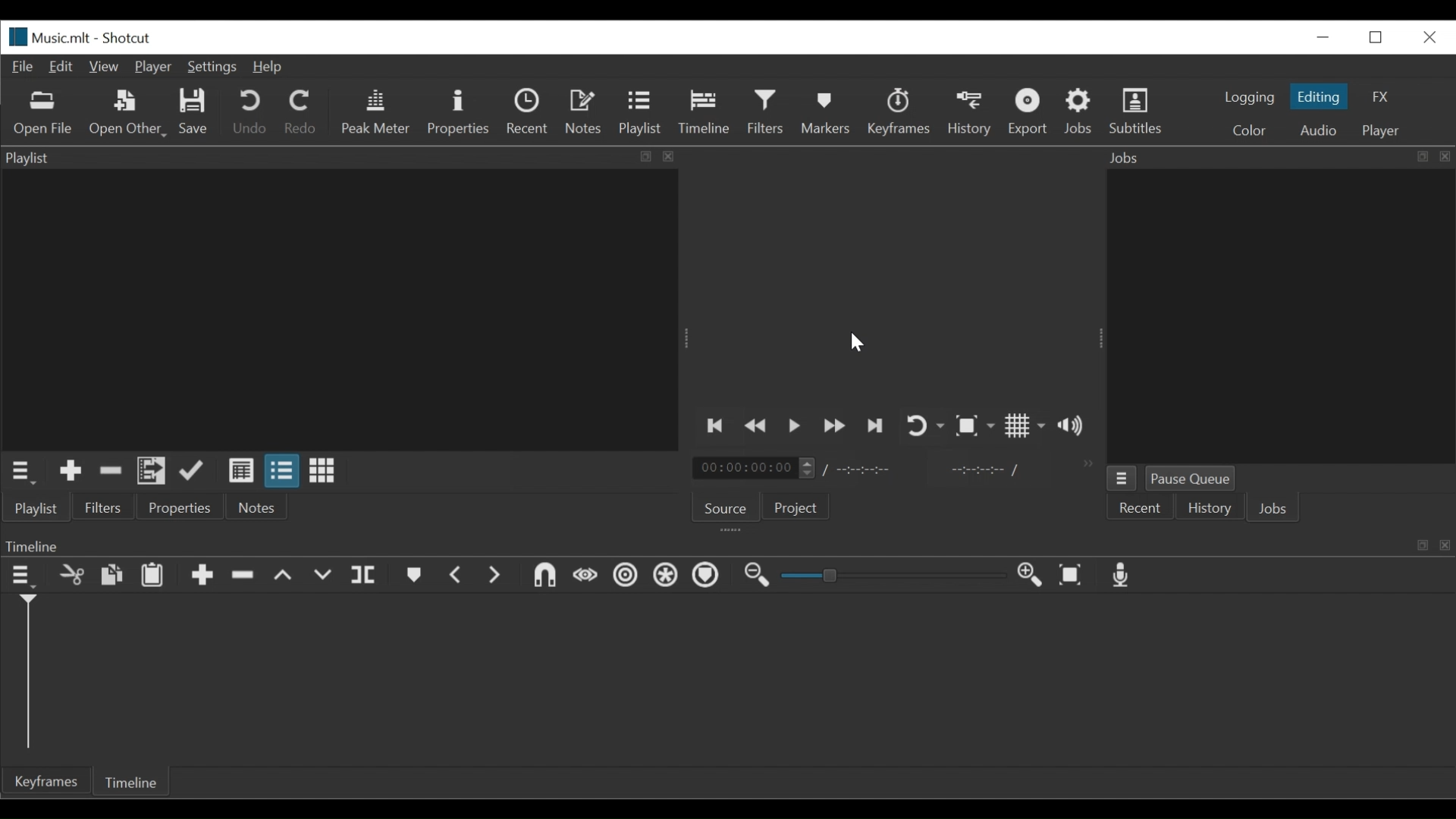  What do you see at coordinates (1075, 428) in the screenshot?
I see `Show volume control` at bounding box center [1075, 428].